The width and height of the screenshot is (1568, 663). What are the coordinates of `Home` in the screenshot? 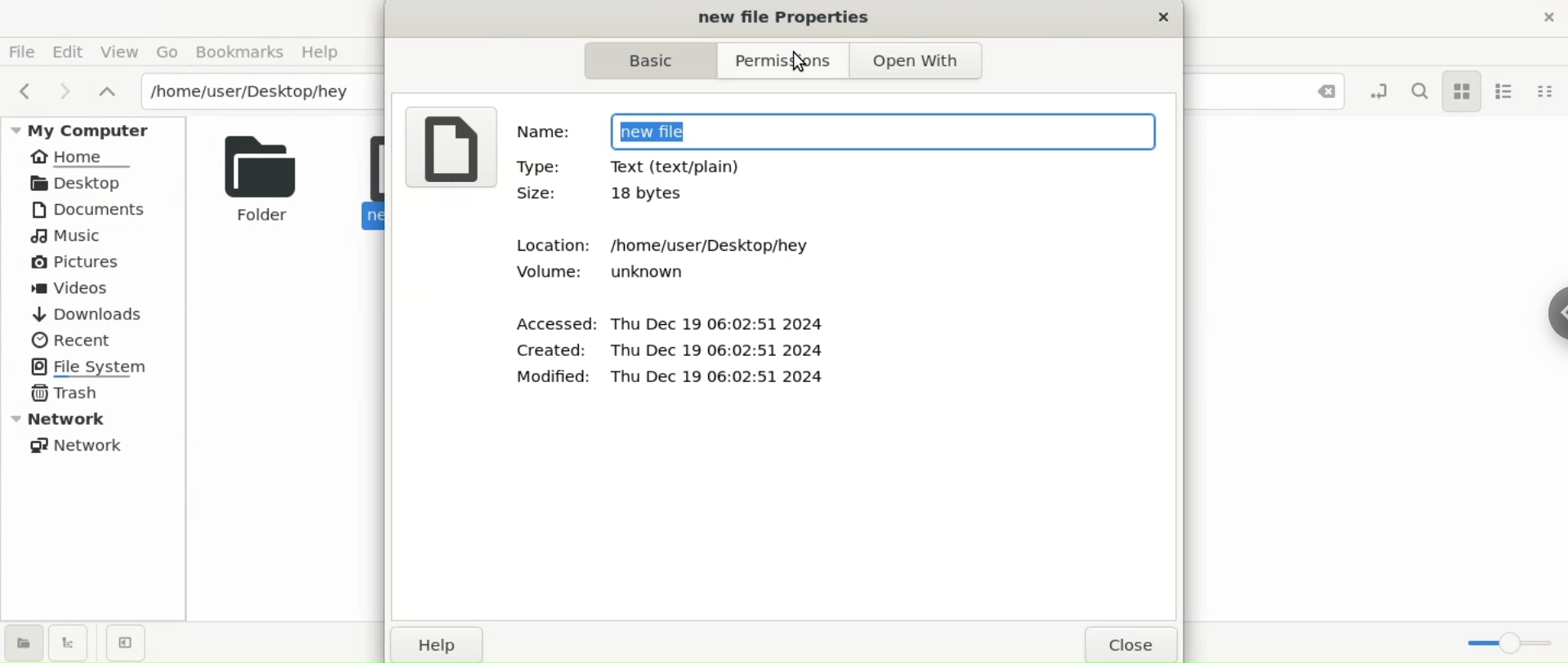 It's located at (83, 158).